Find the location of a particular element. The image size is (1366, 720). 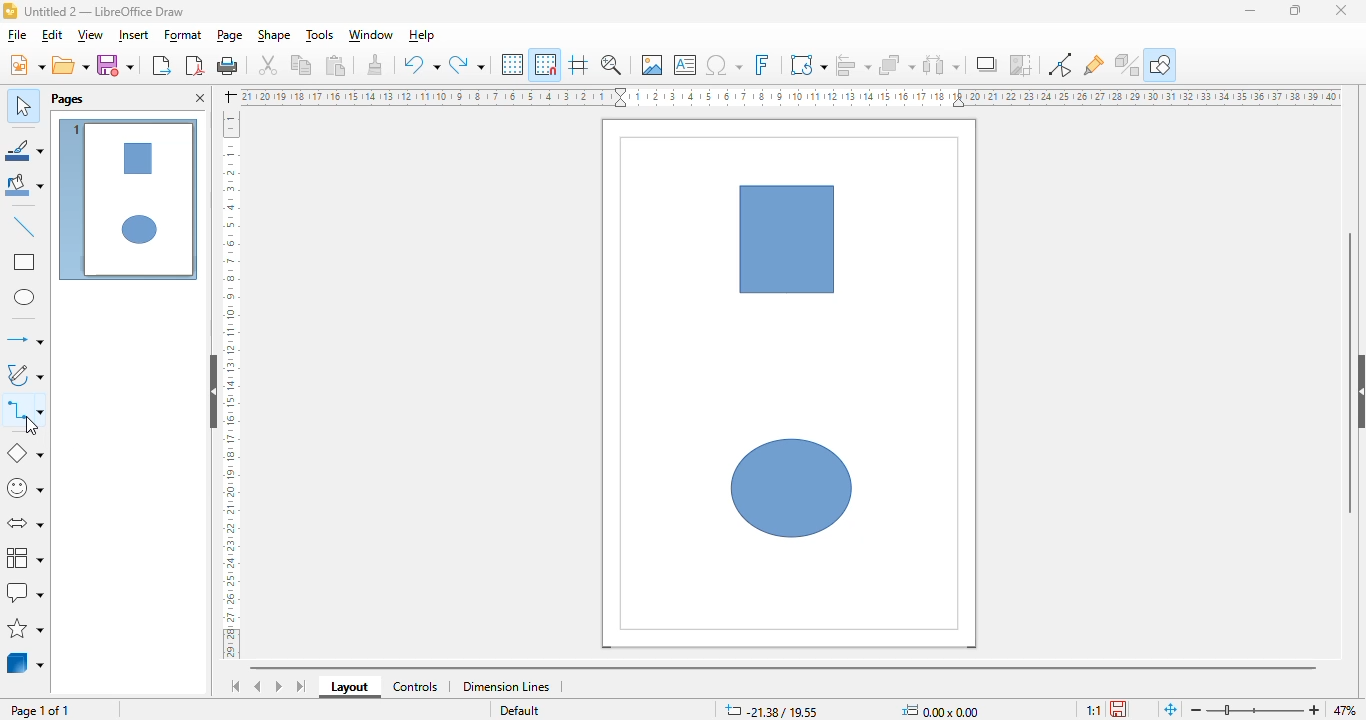

3D objects is located at coordinates (26, 662).